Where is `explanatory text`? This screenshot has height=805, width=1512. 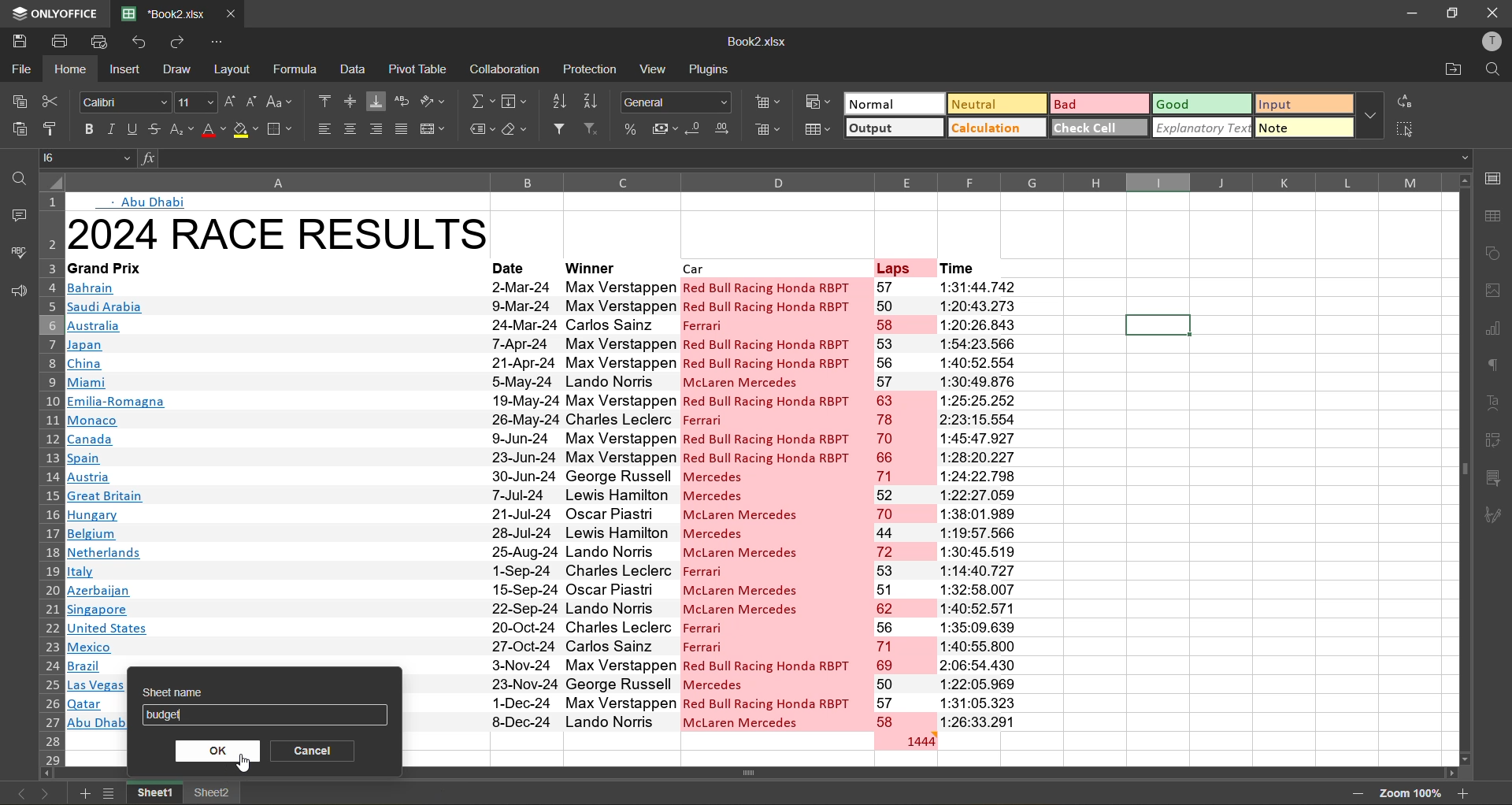 explanatory text is located at coordinates (1199, 128).